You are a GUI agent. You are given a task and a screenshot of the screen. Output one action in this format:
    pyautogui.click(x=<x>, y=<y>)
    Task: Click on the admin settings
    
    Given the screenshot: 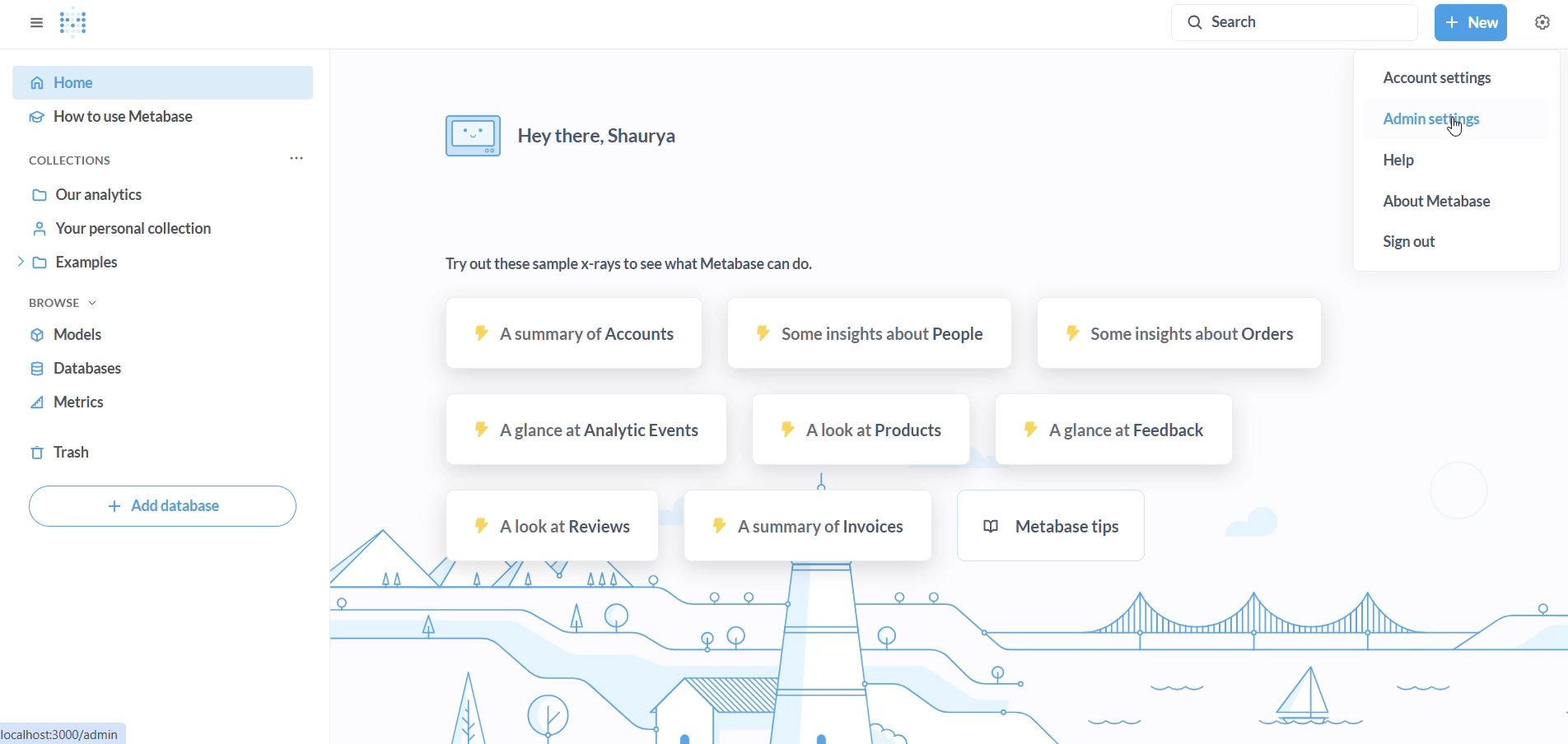 What is the action you would take?
    pyautogui.click(x=1468, y=118)
    